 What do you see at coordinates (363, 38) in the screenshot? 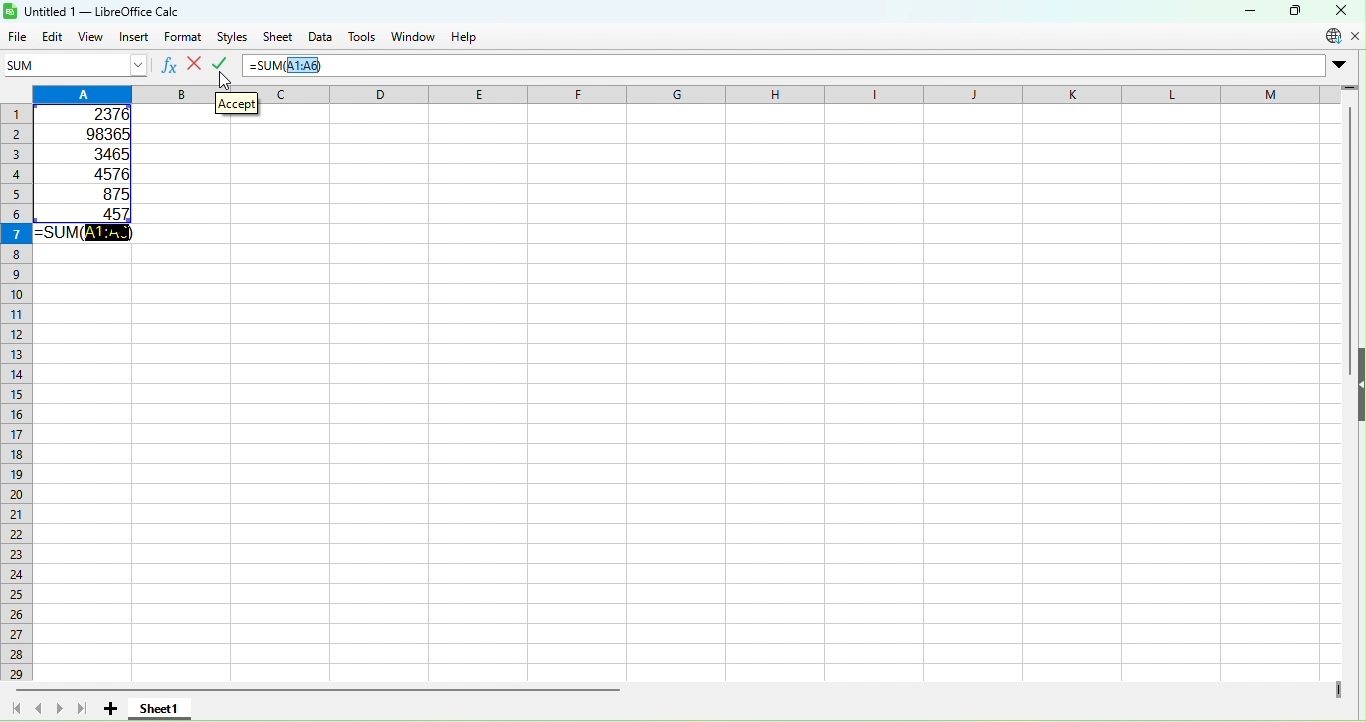
I see `Tools` at bounding box center [363, 38].